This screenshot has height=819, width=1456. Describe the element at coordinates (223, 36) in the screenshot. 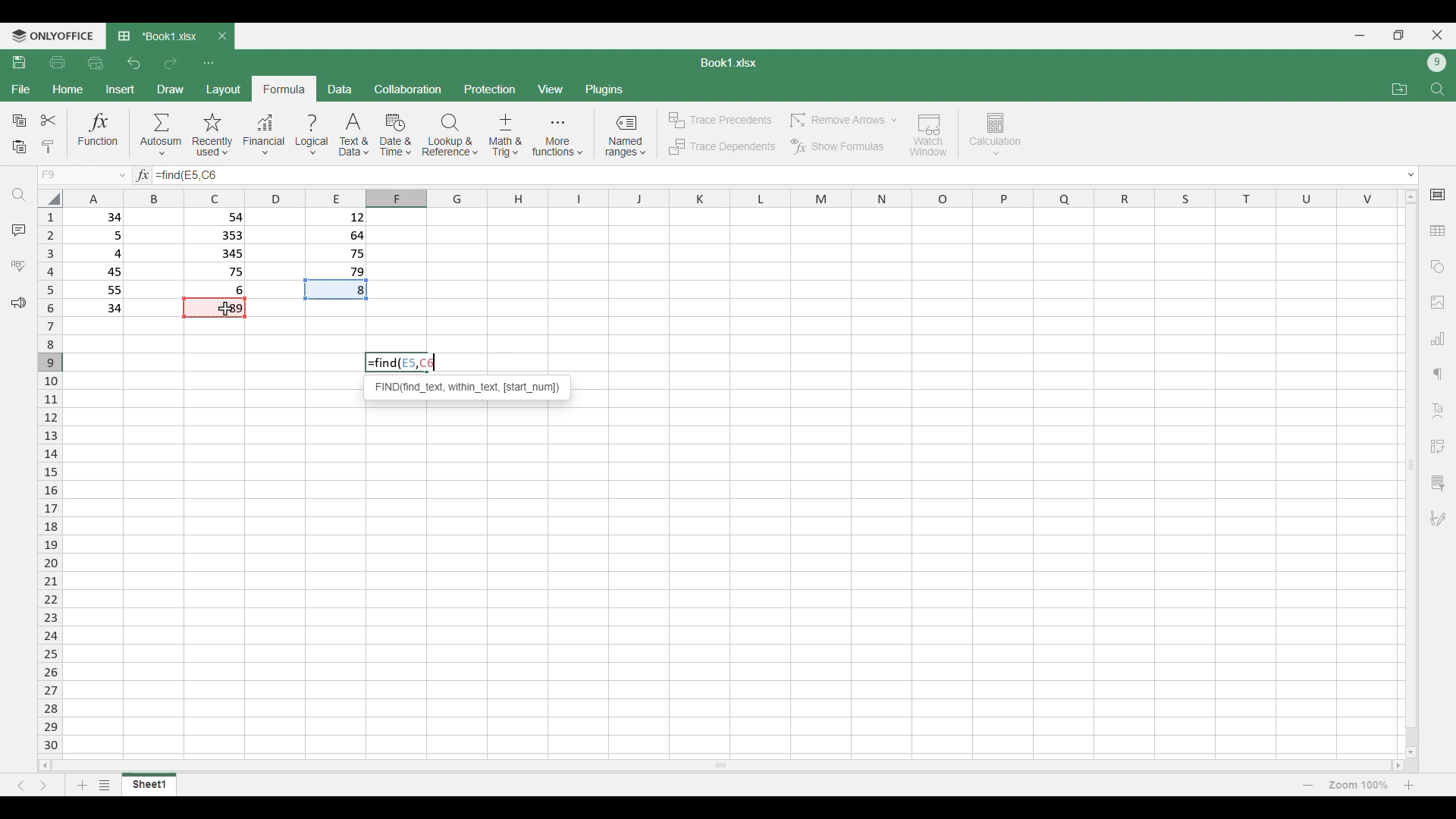

I see `Close tab` at that location.